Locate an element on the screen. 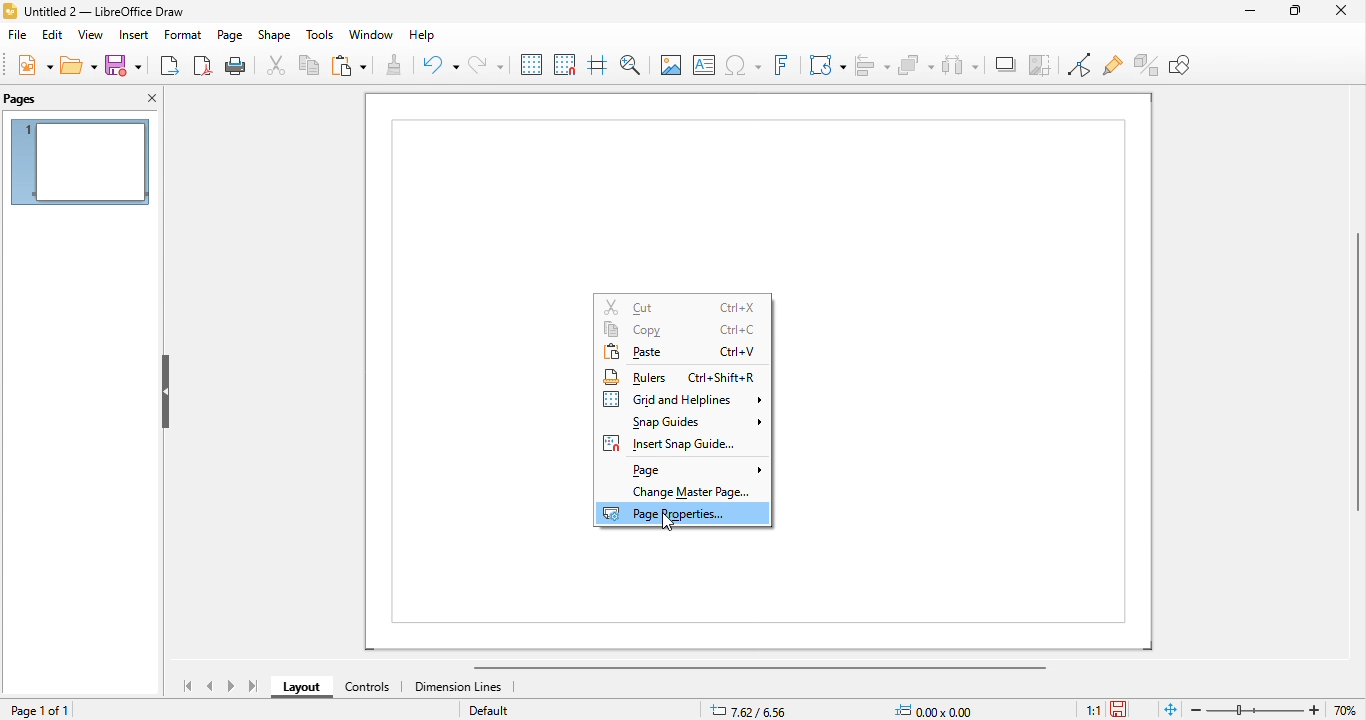  align objects is located at coordinates (872, 64).